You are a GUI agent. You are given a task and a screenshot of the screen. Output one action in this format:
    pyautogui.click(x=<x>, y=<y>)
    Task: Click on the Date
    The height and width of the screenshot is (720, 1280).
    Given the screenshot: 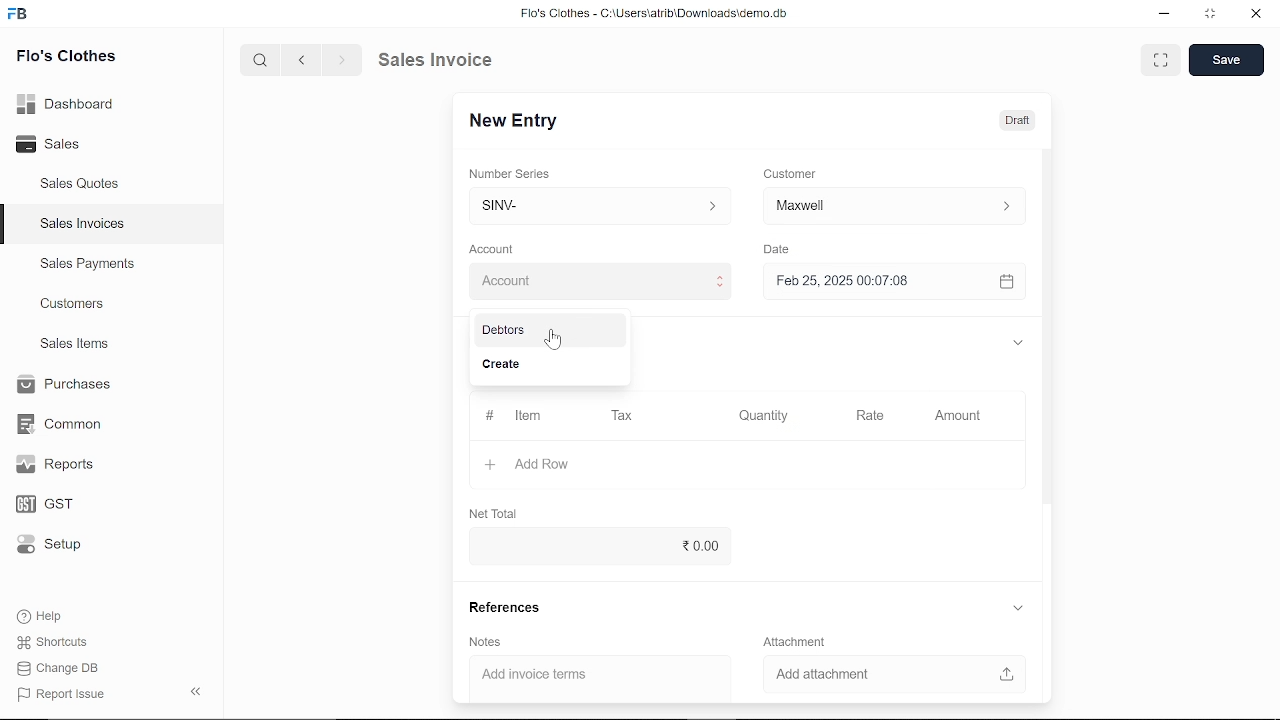 What is the action you would take?
    pyautogui.click(x=780, y=249)
    